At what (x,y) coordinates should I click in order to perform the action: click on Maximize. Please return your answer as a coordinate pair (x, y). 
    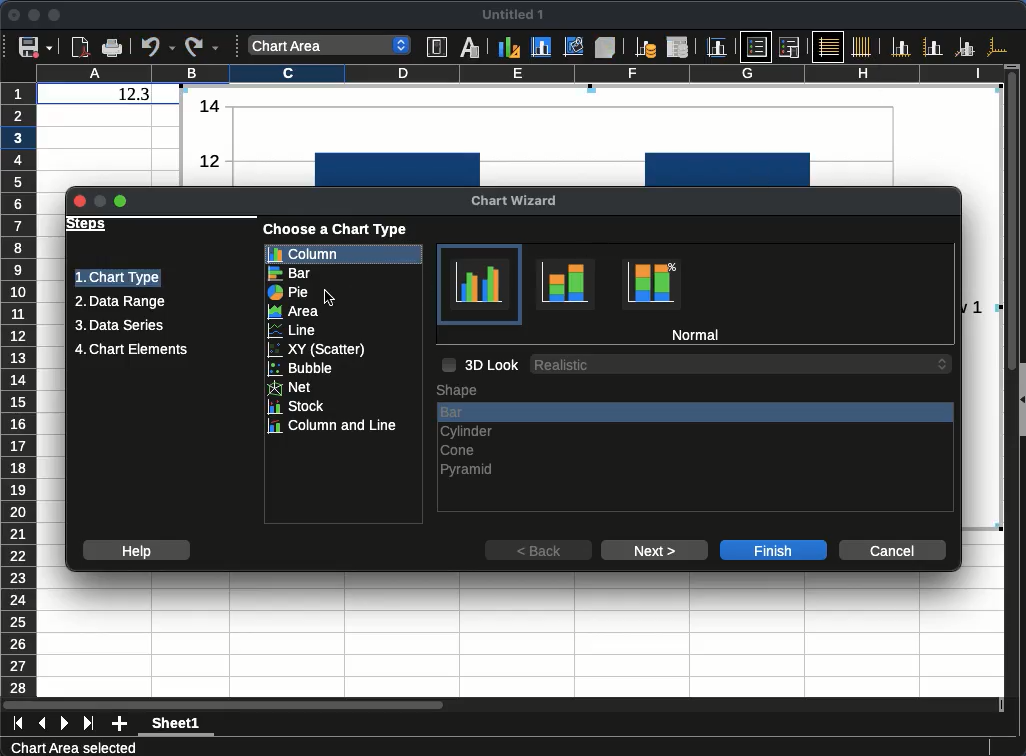
    Looking at the image, I should click on (121, 201).